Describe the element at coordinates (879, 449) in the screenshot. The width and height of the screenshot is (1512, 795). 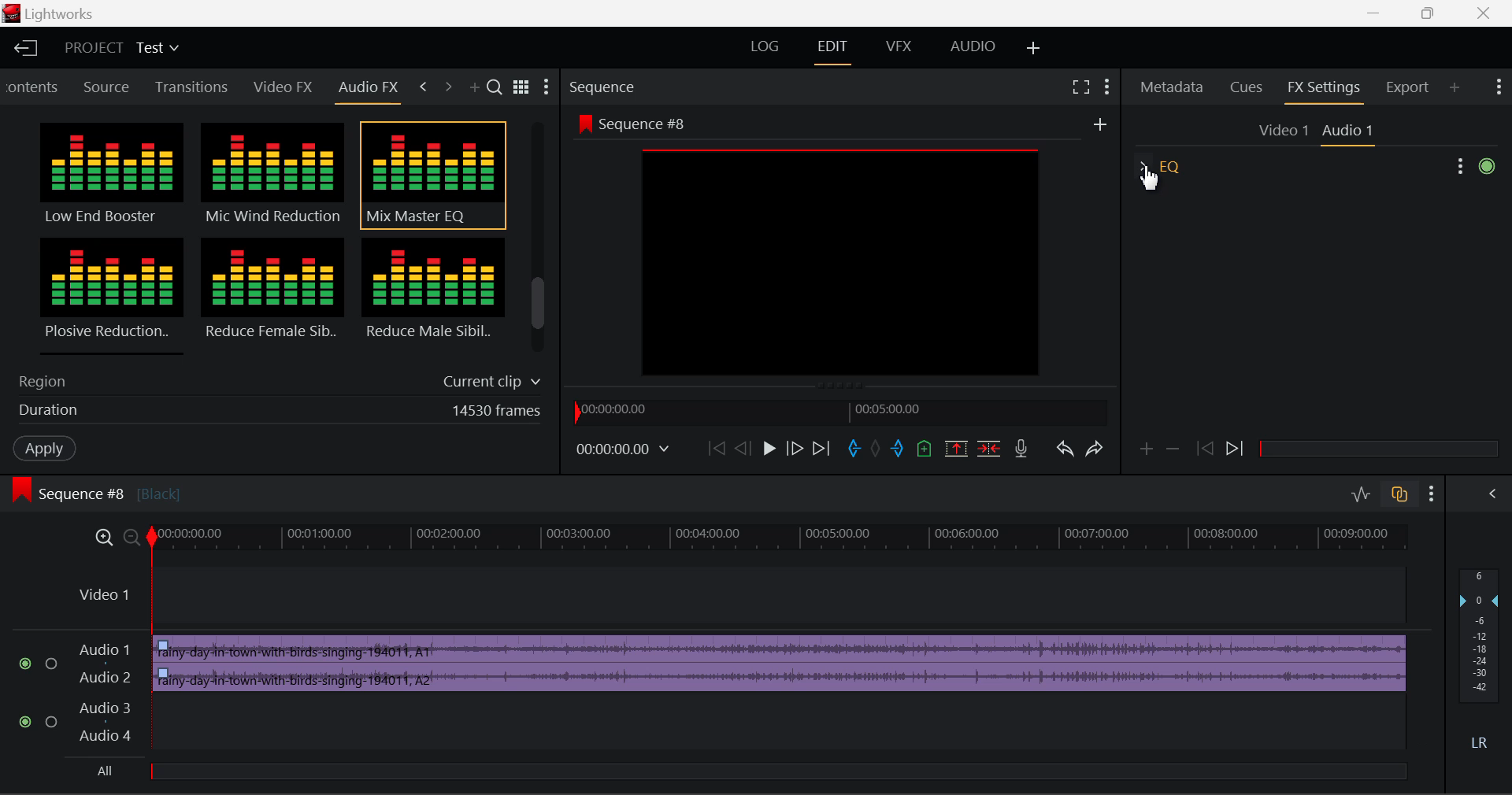
I see `Remove all marks` at that location.